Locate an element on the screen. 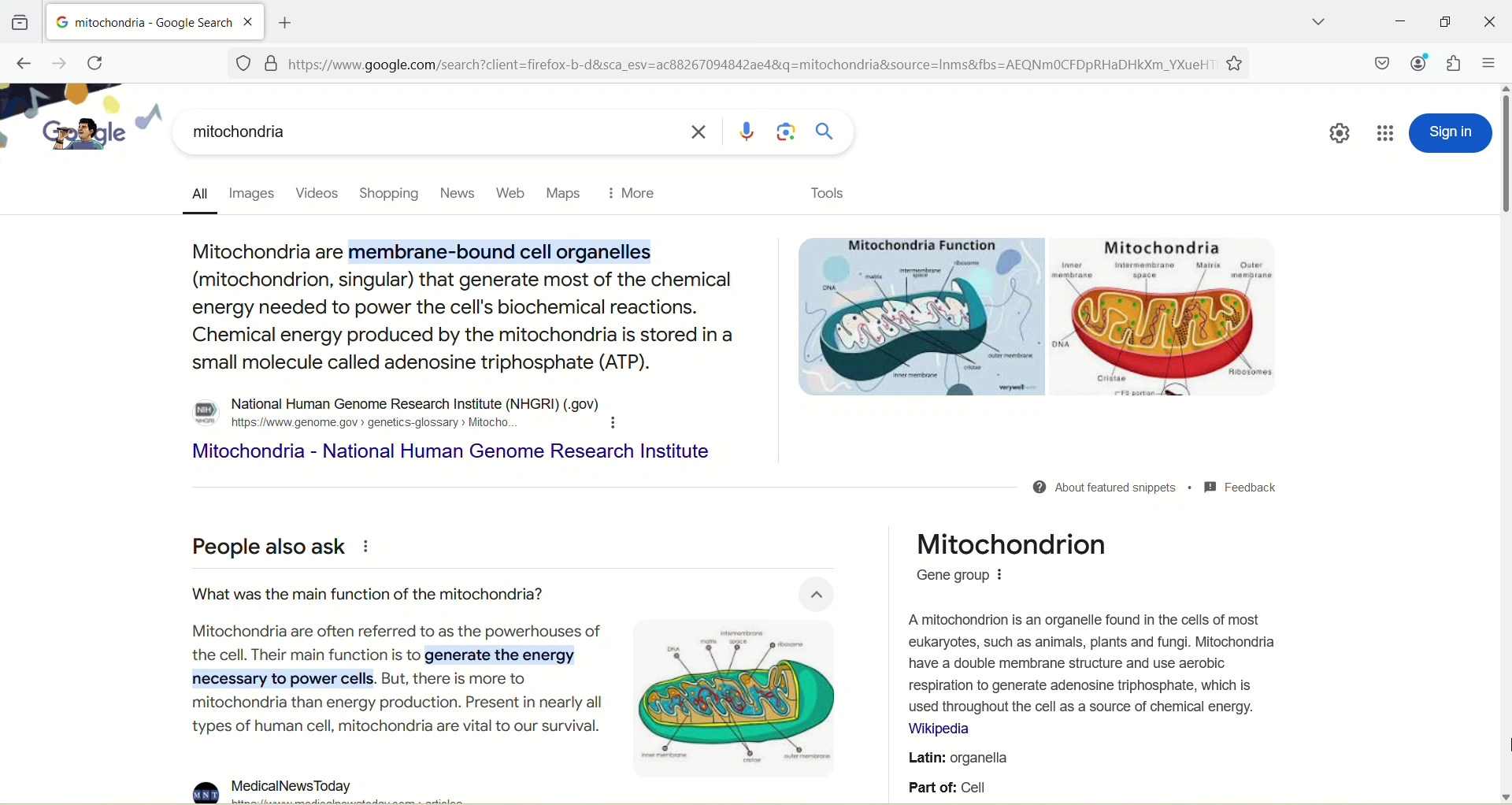 The width and height of the screenshot is (1512, 805). search is located at coordinates (831, 132).